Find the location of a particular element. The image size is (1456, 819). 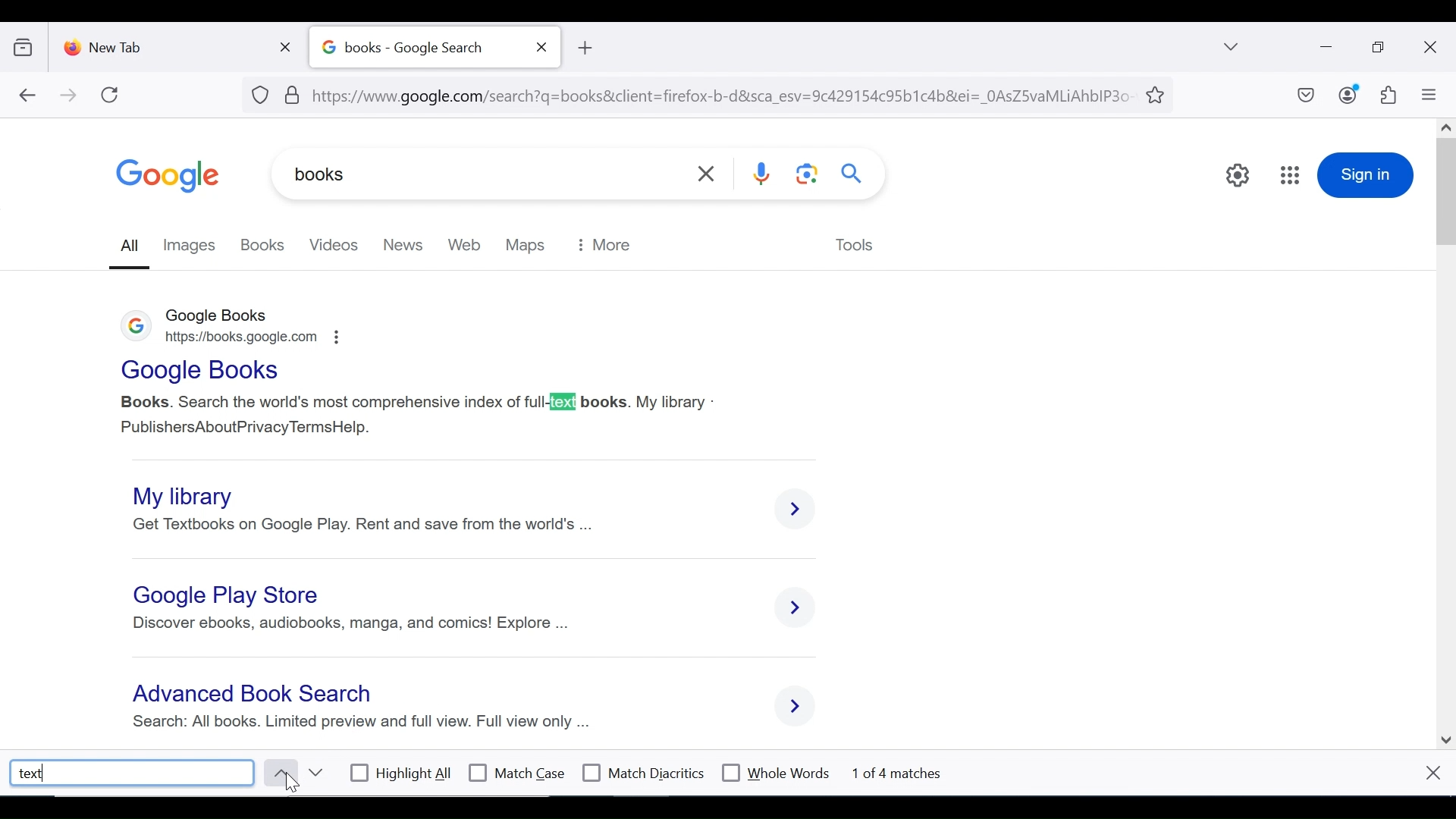

restore is located at coordinates (1380, 48).